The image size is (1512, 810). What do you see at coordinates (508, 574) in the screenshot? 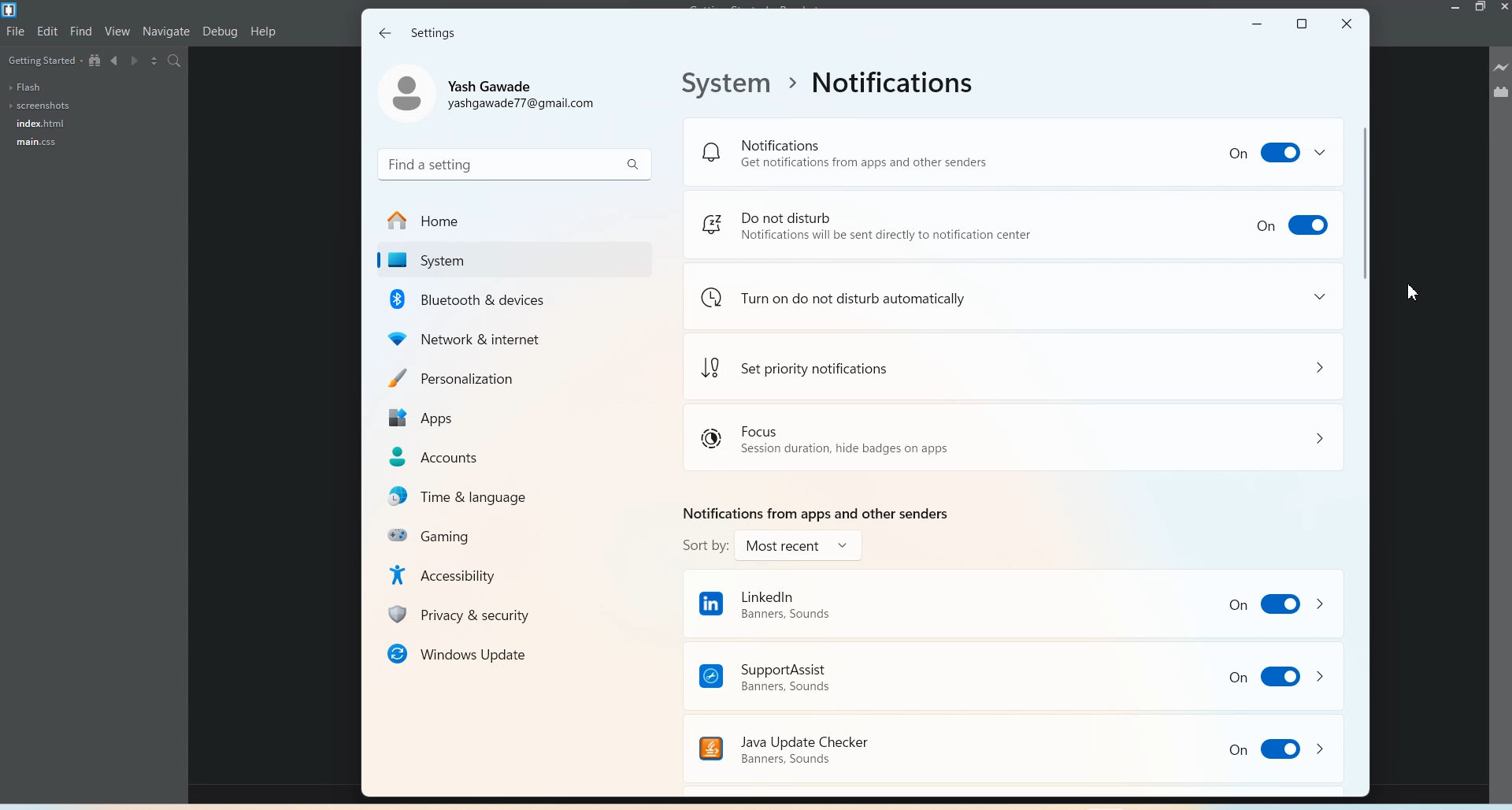
I see `Accessibility` at bounding box center [508, 574].